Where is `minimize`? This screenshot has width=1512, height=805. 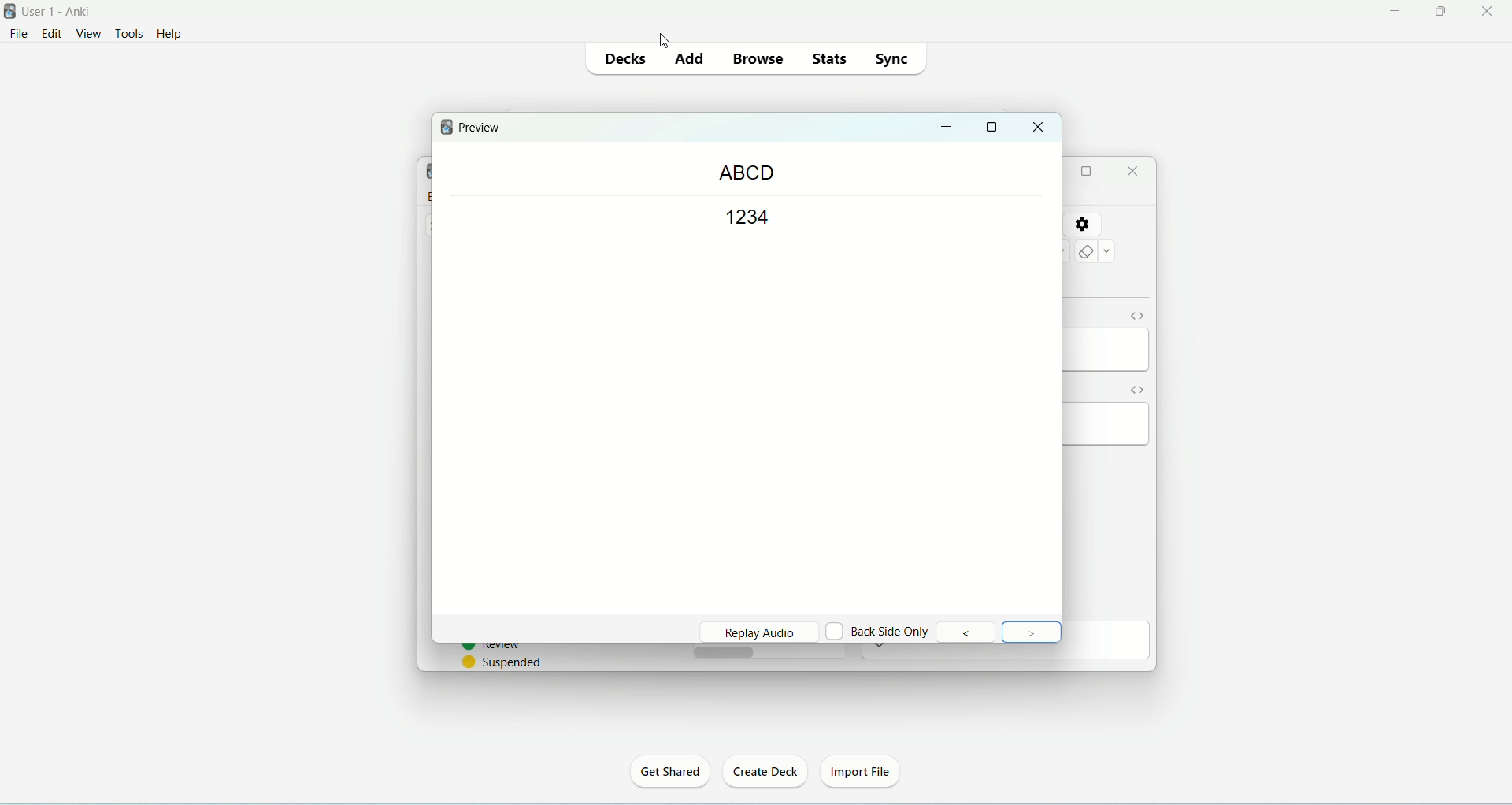
minimize is located at coordinates (947, 128).